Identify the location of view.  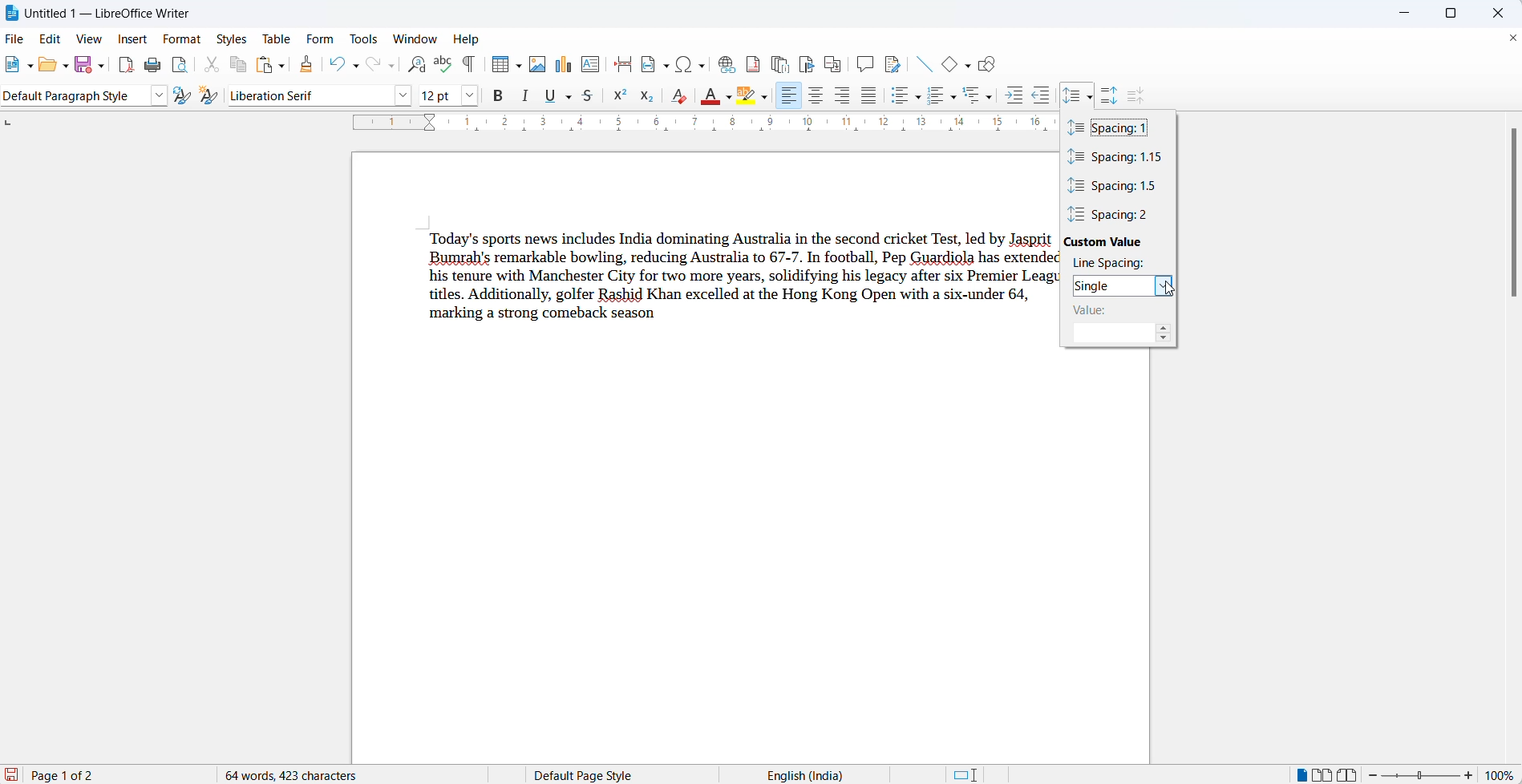
(94, 38).